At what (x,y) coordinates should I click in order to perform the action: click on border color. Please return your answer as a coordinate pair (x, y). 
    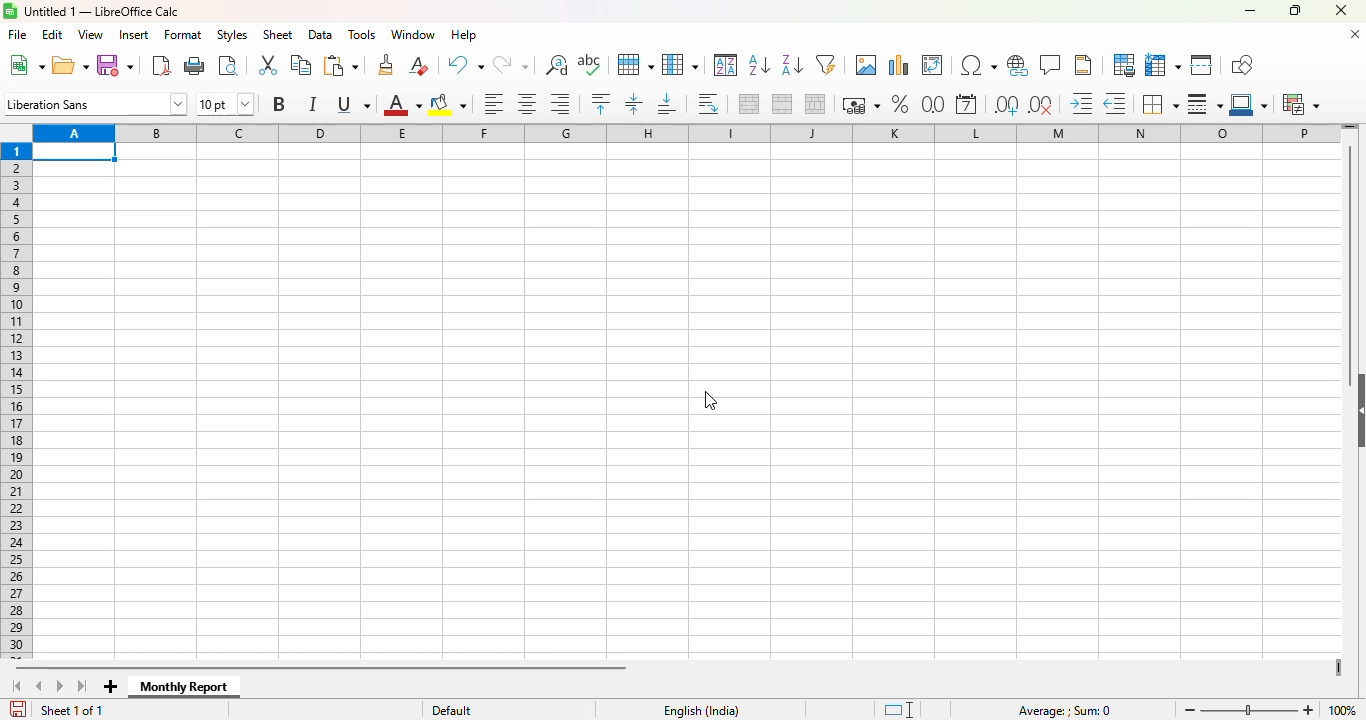
    Looking at the image, I should click on (1250, 104).